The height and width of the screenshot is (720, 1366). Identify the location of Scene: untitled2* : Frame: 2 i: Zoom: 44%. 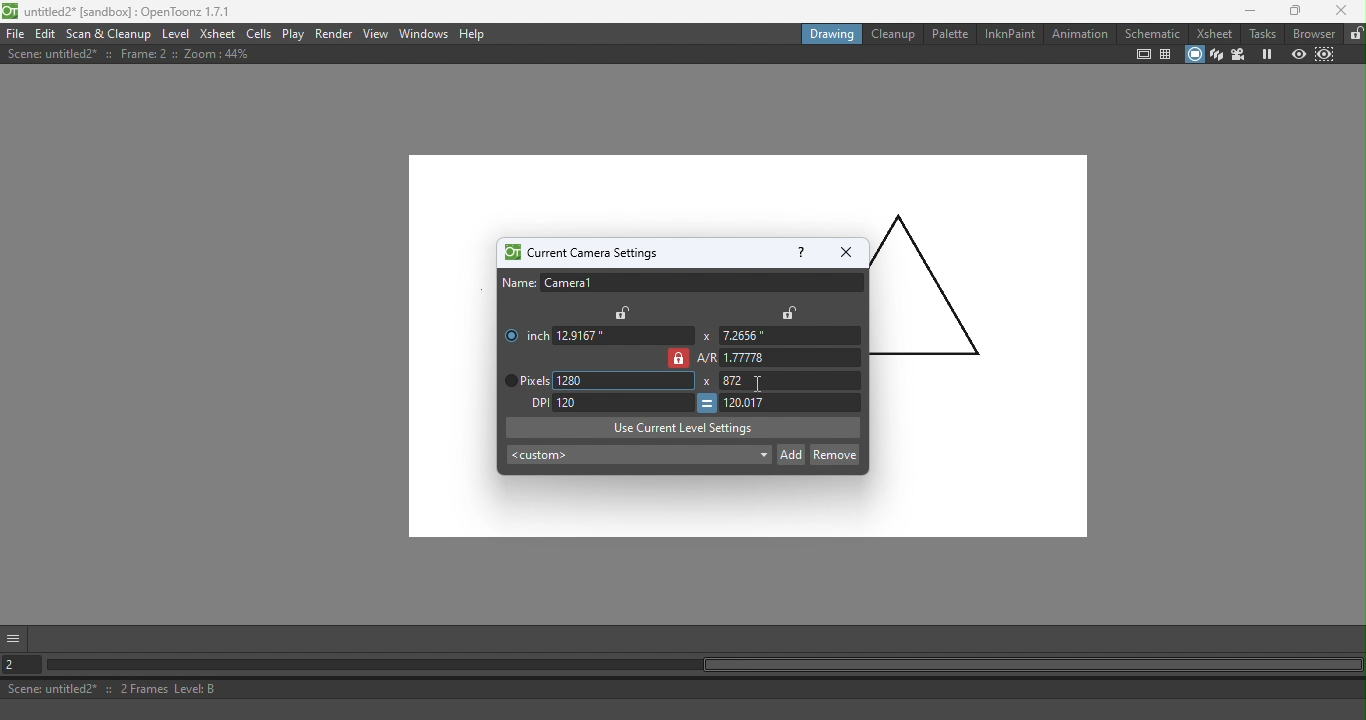
(129, 54).